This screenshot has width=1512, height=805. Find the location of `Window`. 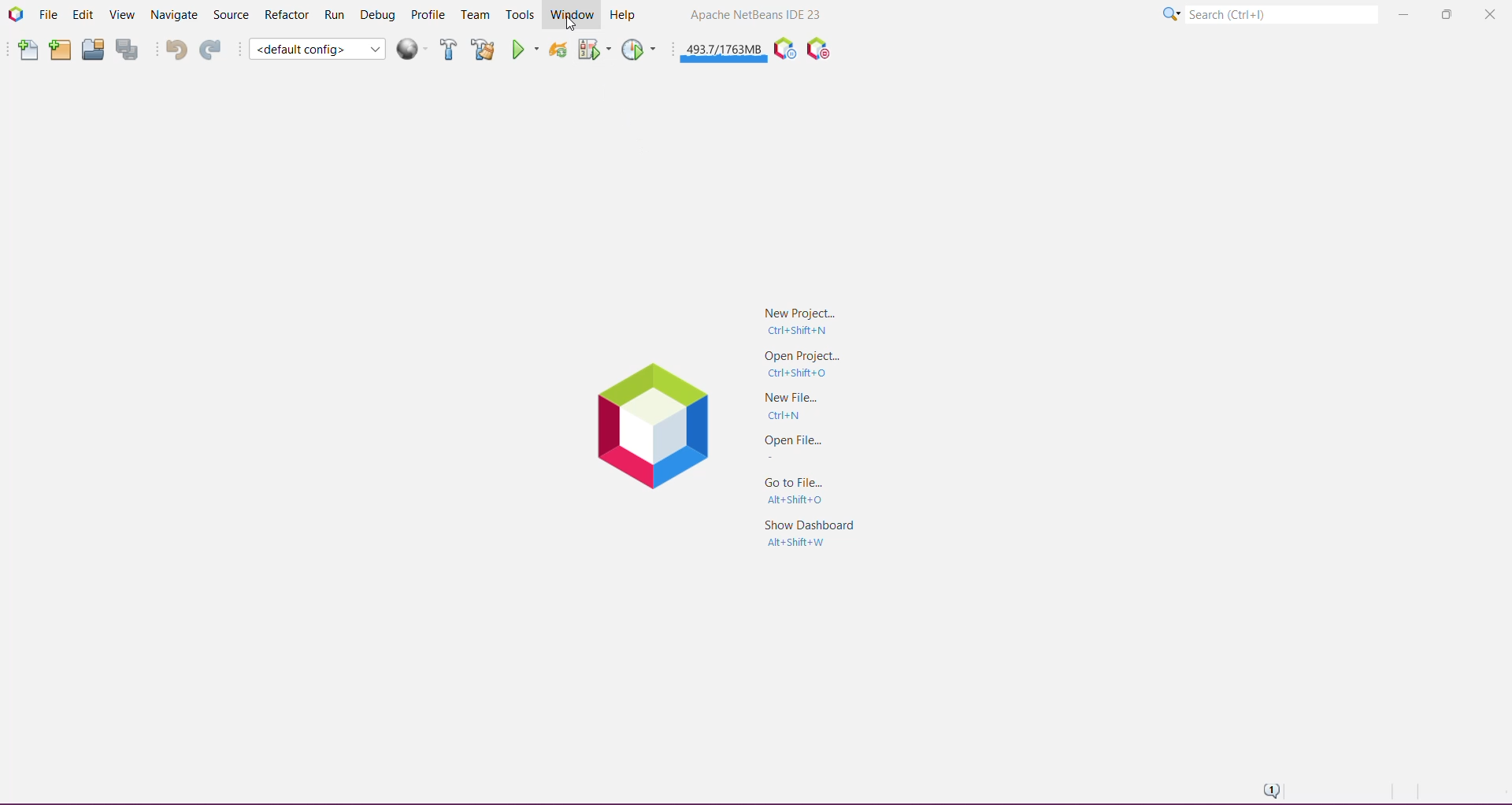

Window is located at coordinates (569, 15).